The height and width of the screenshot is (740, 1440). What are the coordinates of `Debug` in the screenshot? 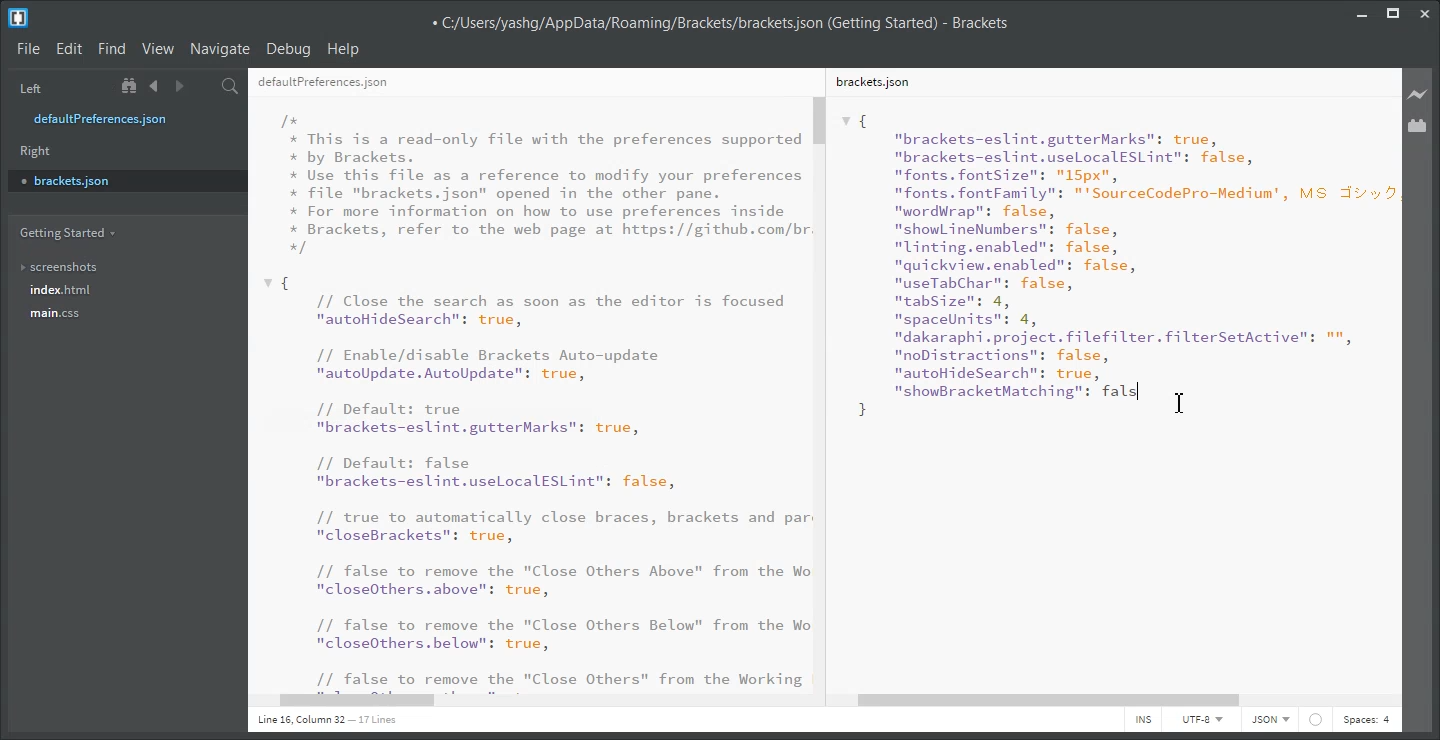 It's located at (289, 50).